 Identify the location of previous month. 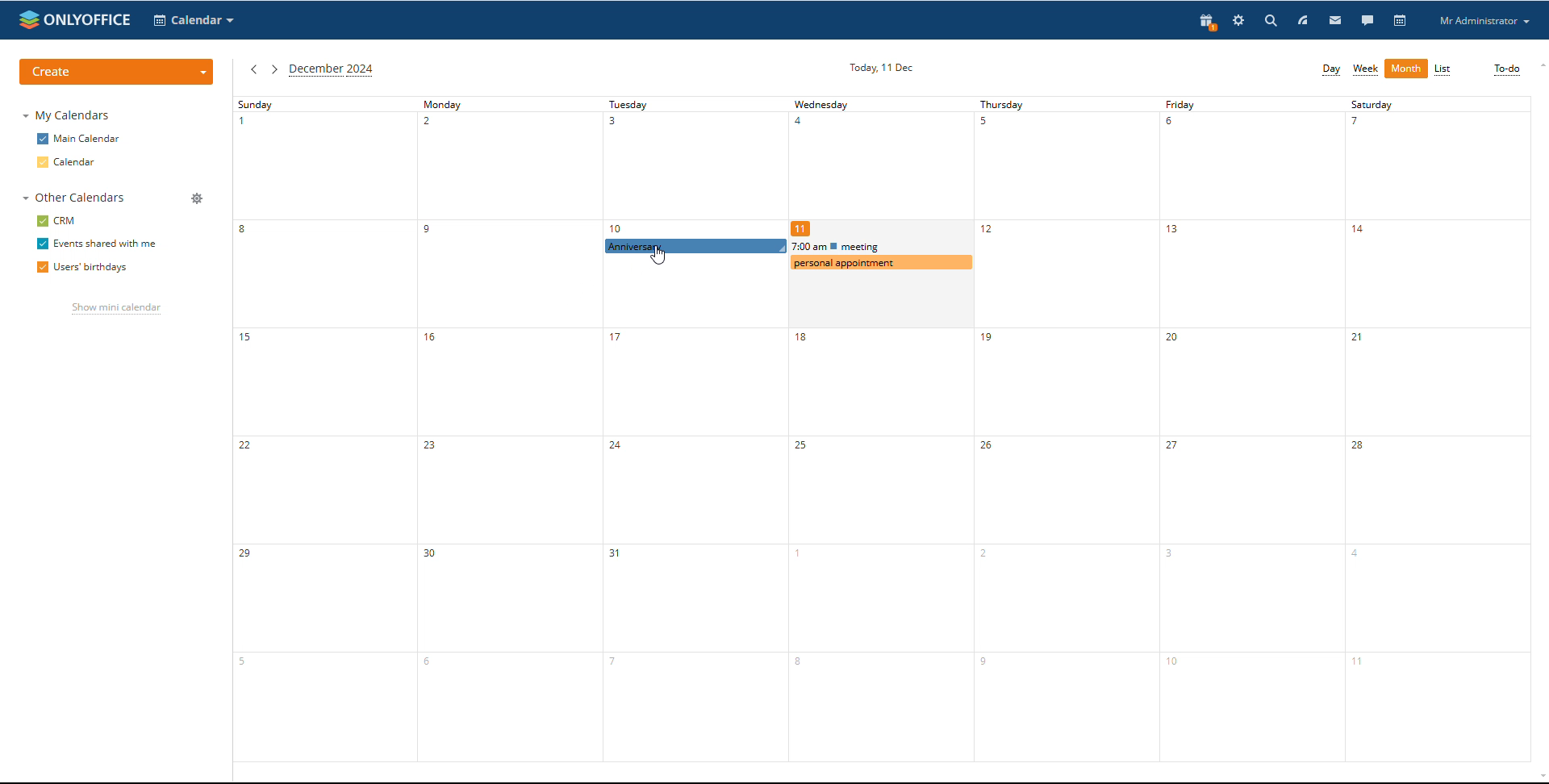
(254, 71).